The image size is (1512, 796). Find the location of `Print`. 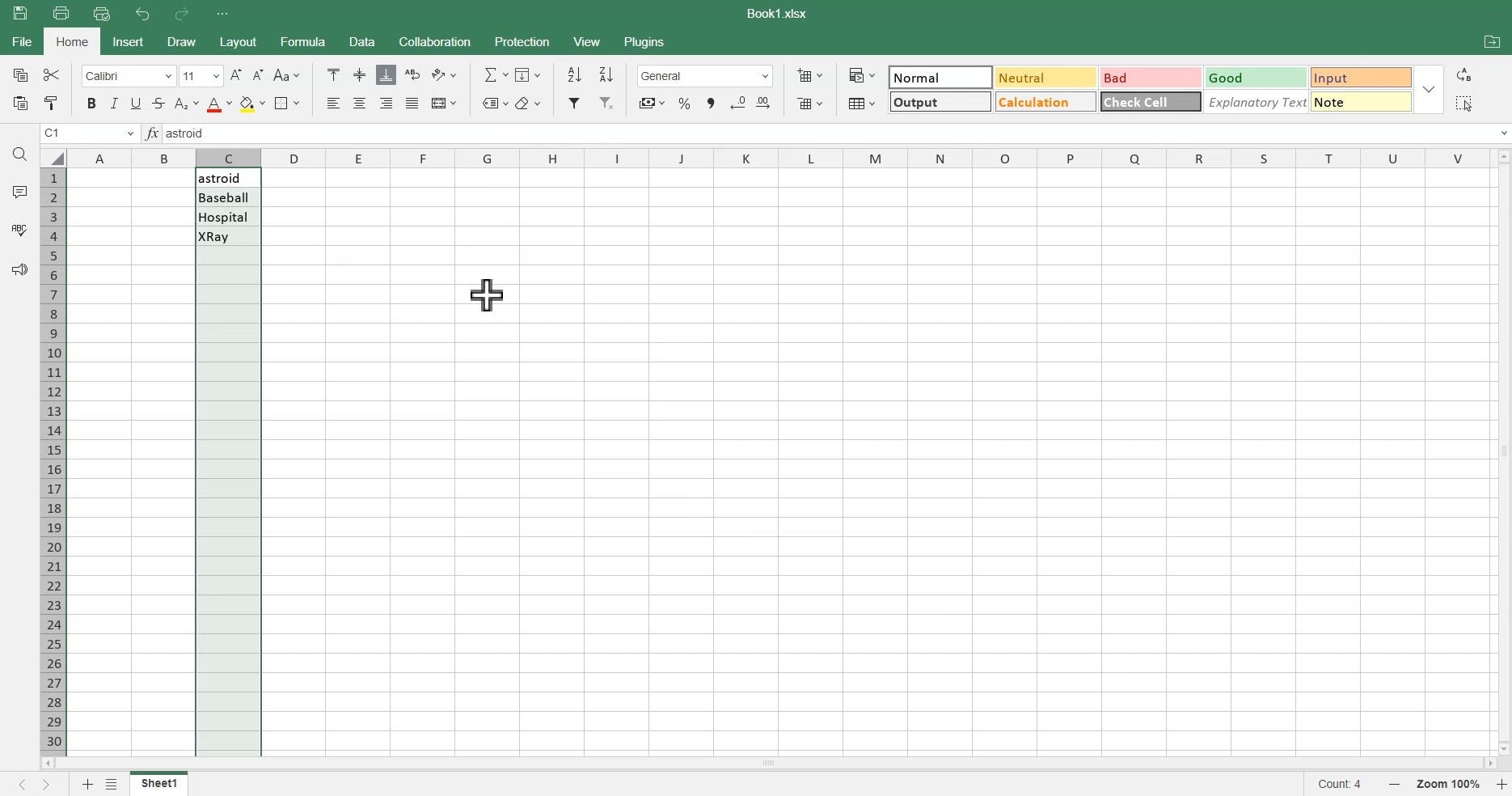

Print is located at coordinates (61, 12).